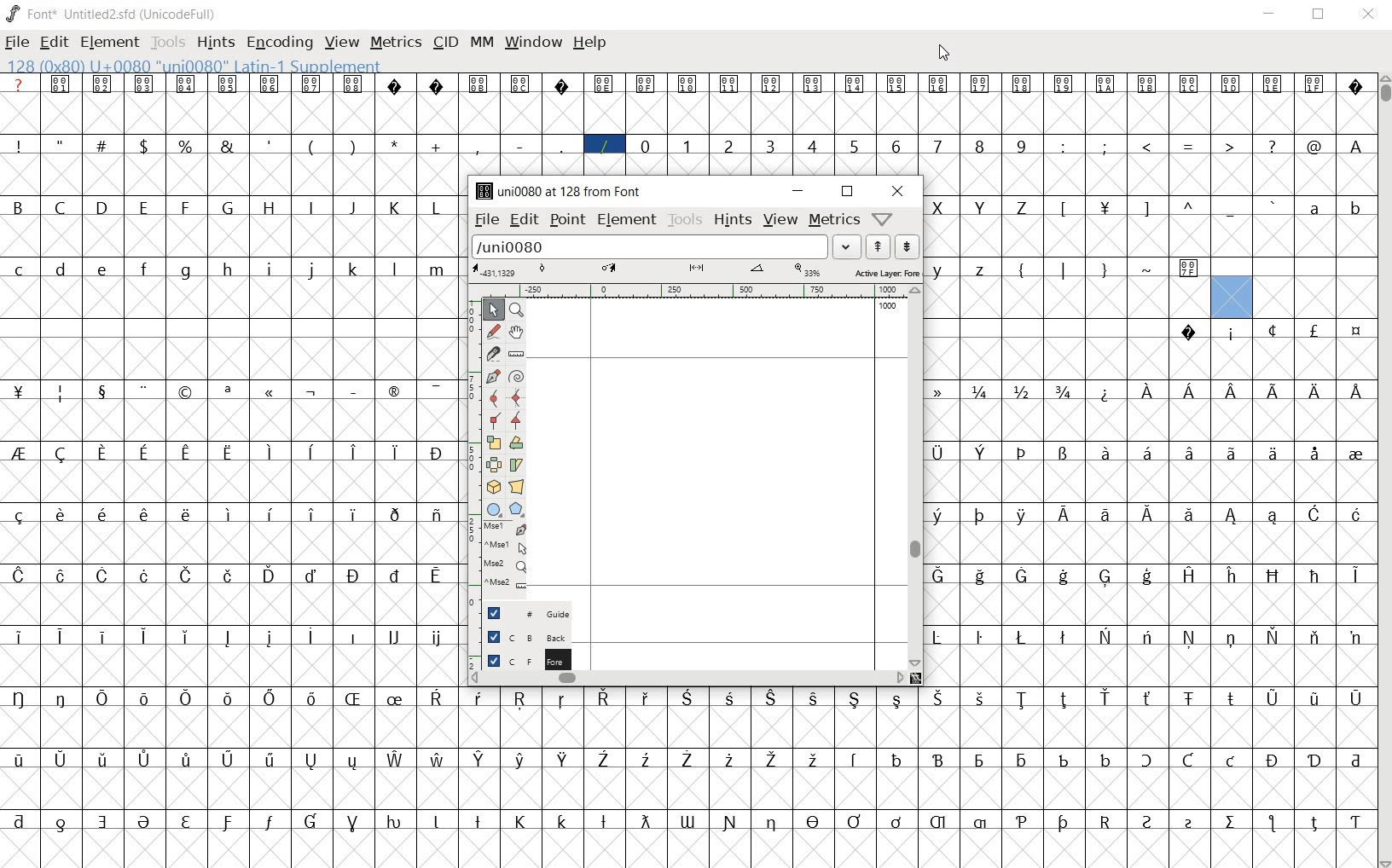 This screenshot has width=1392, height=868. Describe the element at coordinates (1145, 760) in the screenshot. I see `glyph` at that location.